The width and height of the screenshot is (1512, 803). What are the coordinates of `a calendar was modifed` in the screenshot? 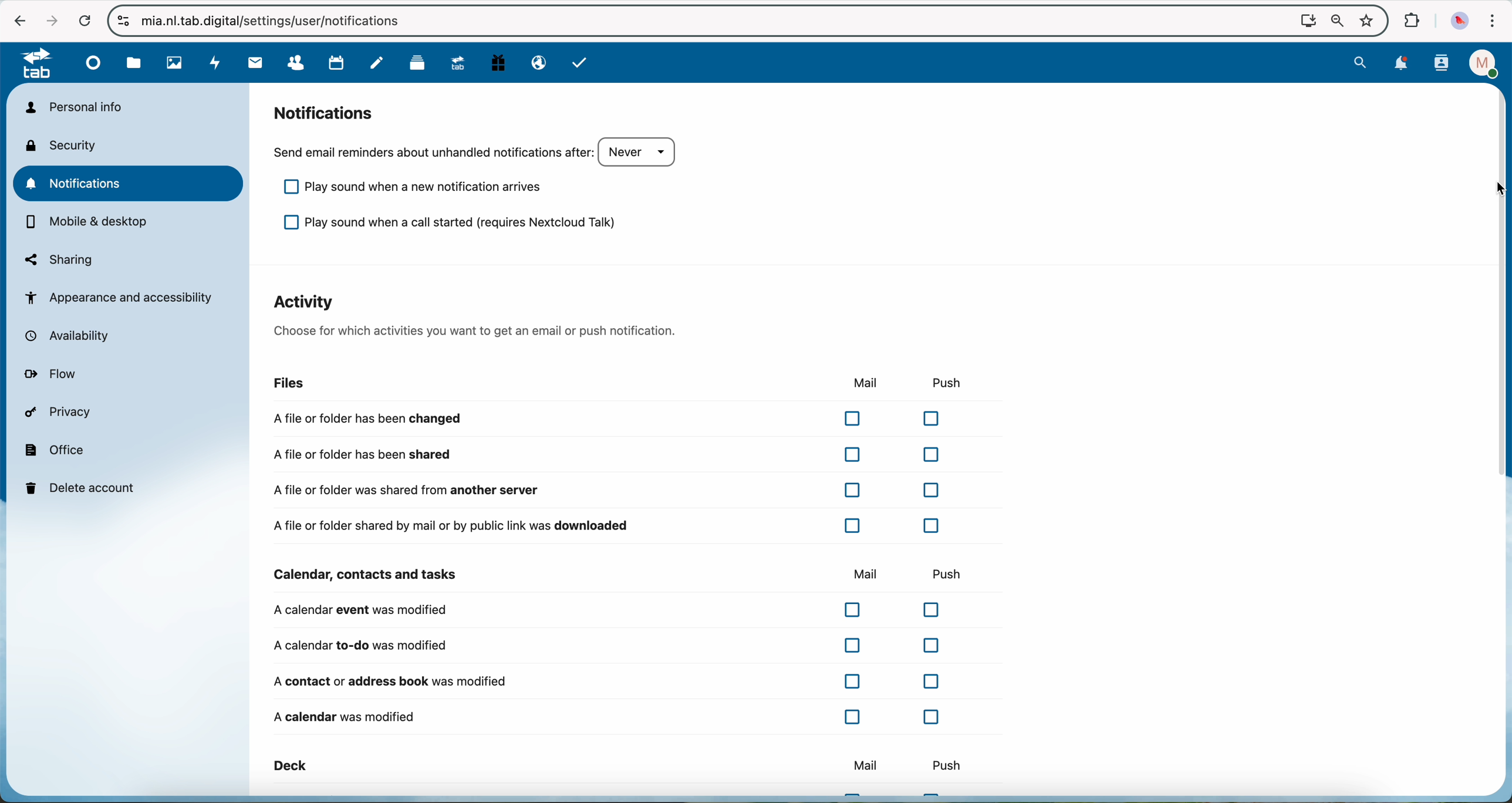 It's located at (609, 716).